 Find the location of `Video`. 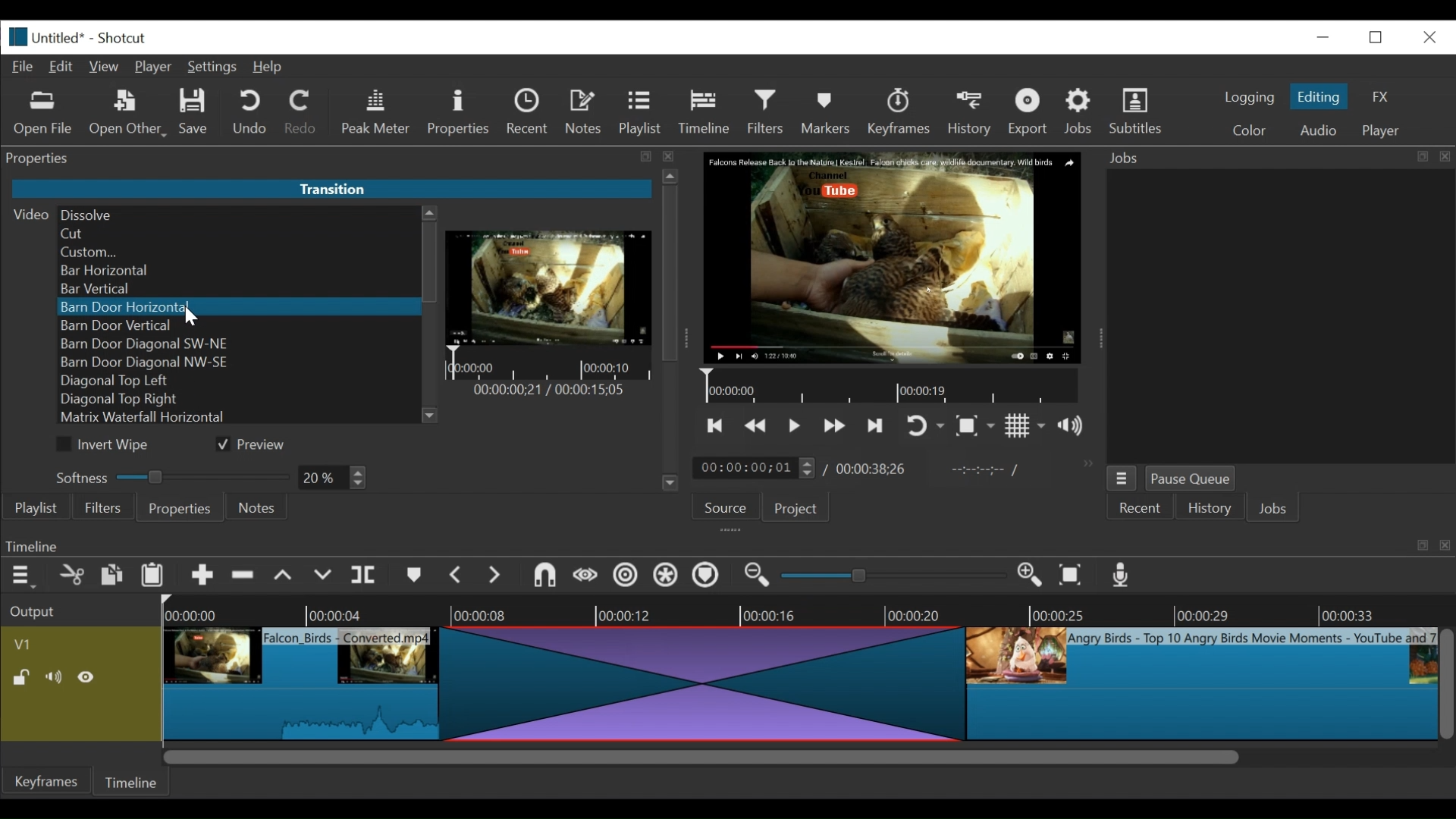

Video is located at coordinates (27, 214).